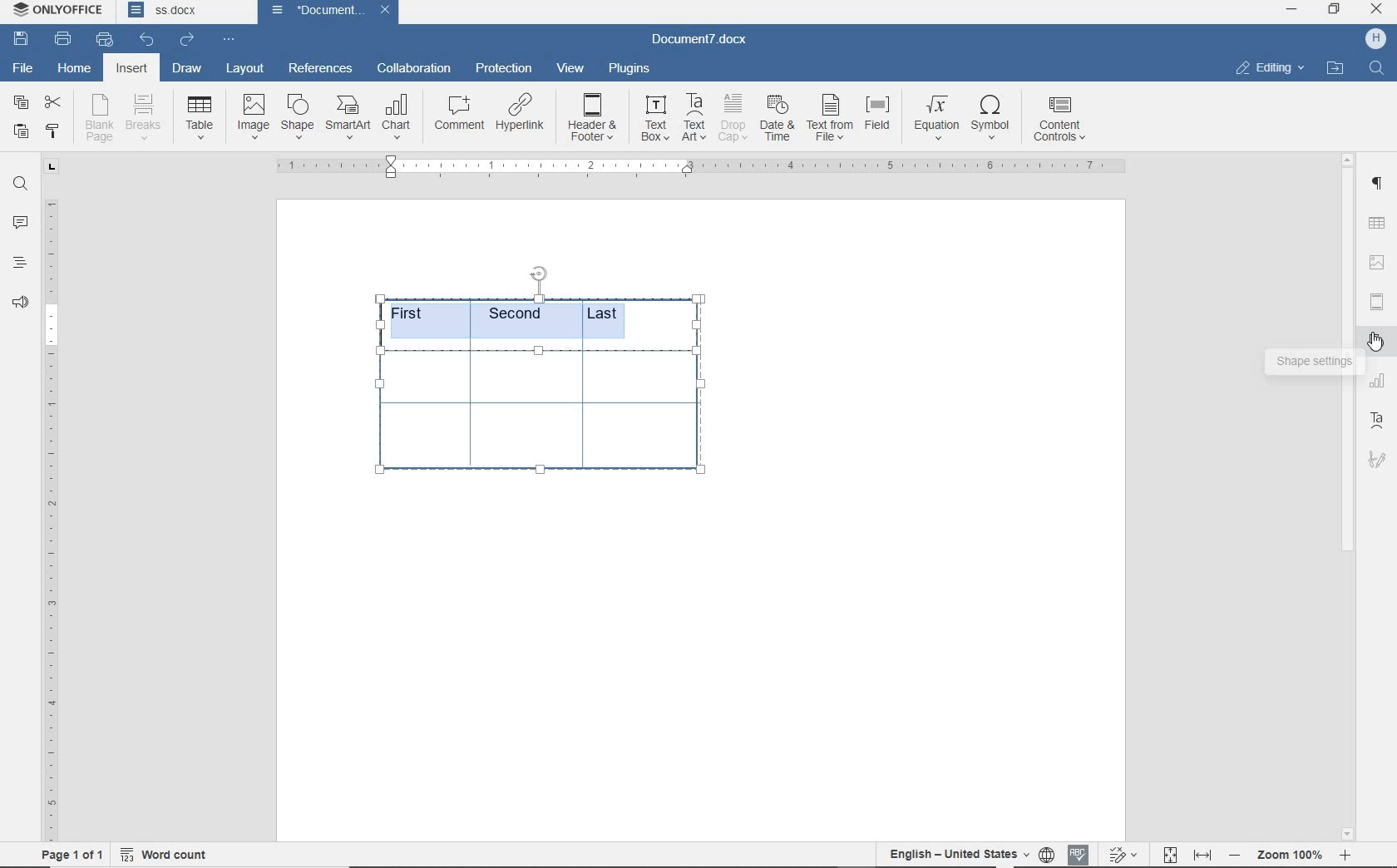 This screenshot has width=1397, height=868. Describe the element at coordinates (1377, 181) in the screenshot. I see `PARAGRAPH SETTINGS` at that location.